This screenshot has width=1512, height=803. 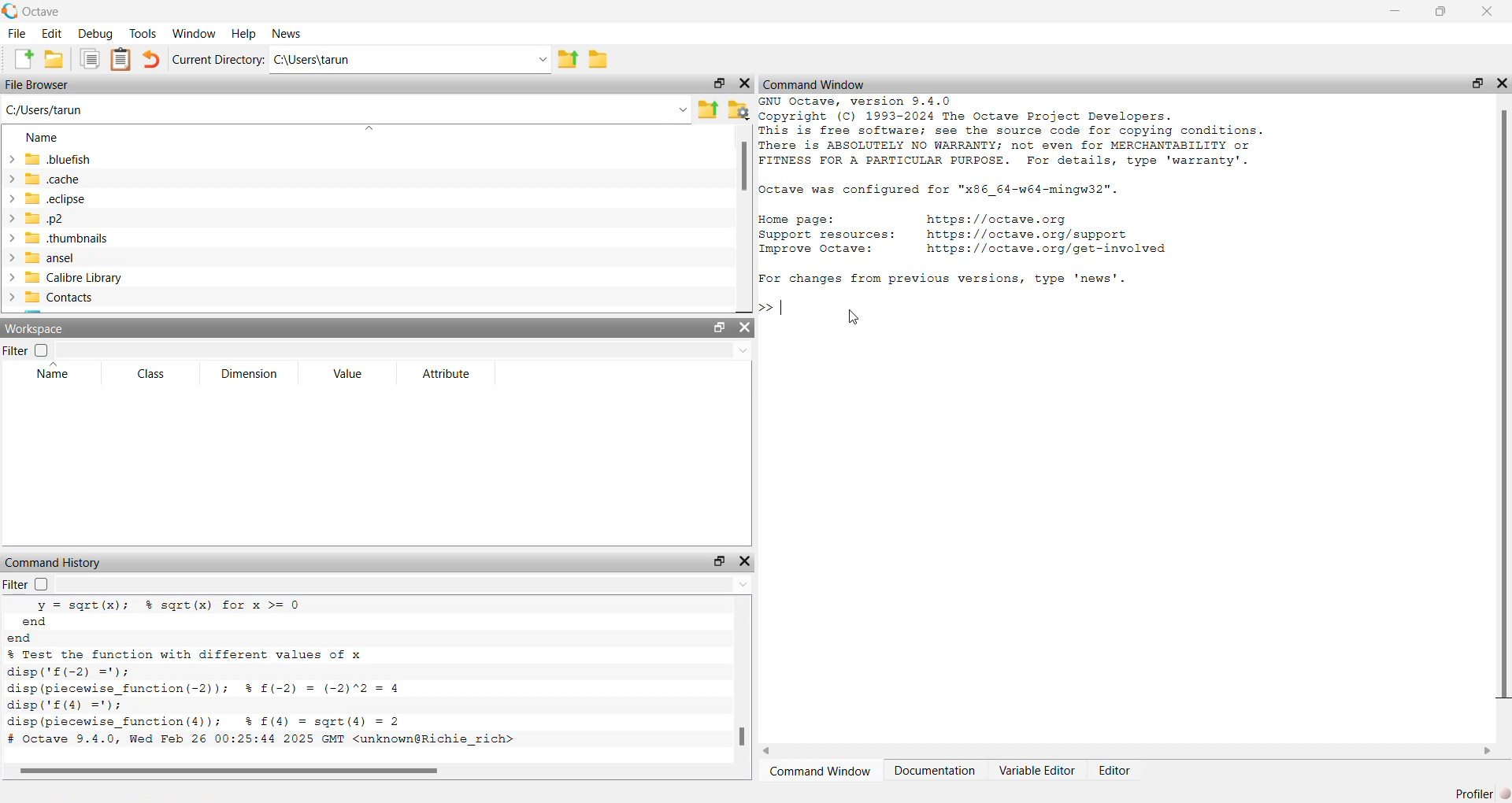 I want to click on Profiler, so click(x=1478, y=791).